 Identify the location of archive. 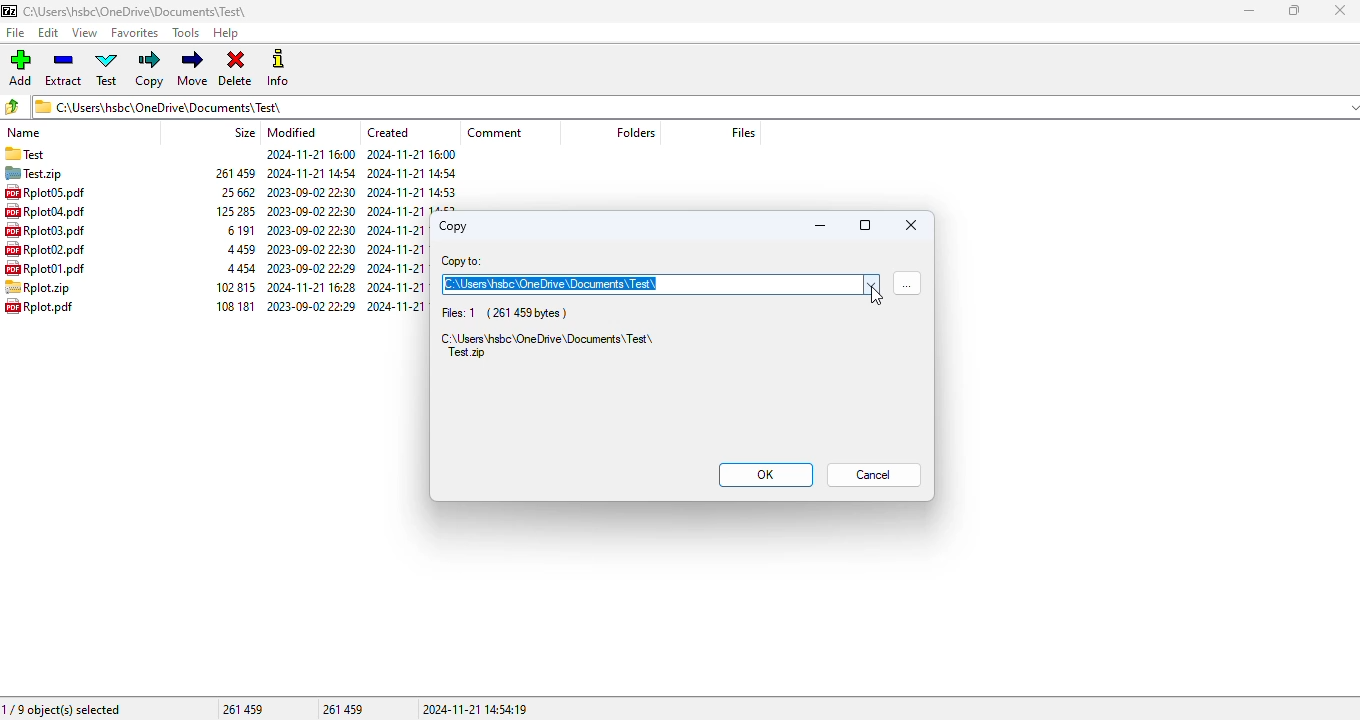
(35, 173).